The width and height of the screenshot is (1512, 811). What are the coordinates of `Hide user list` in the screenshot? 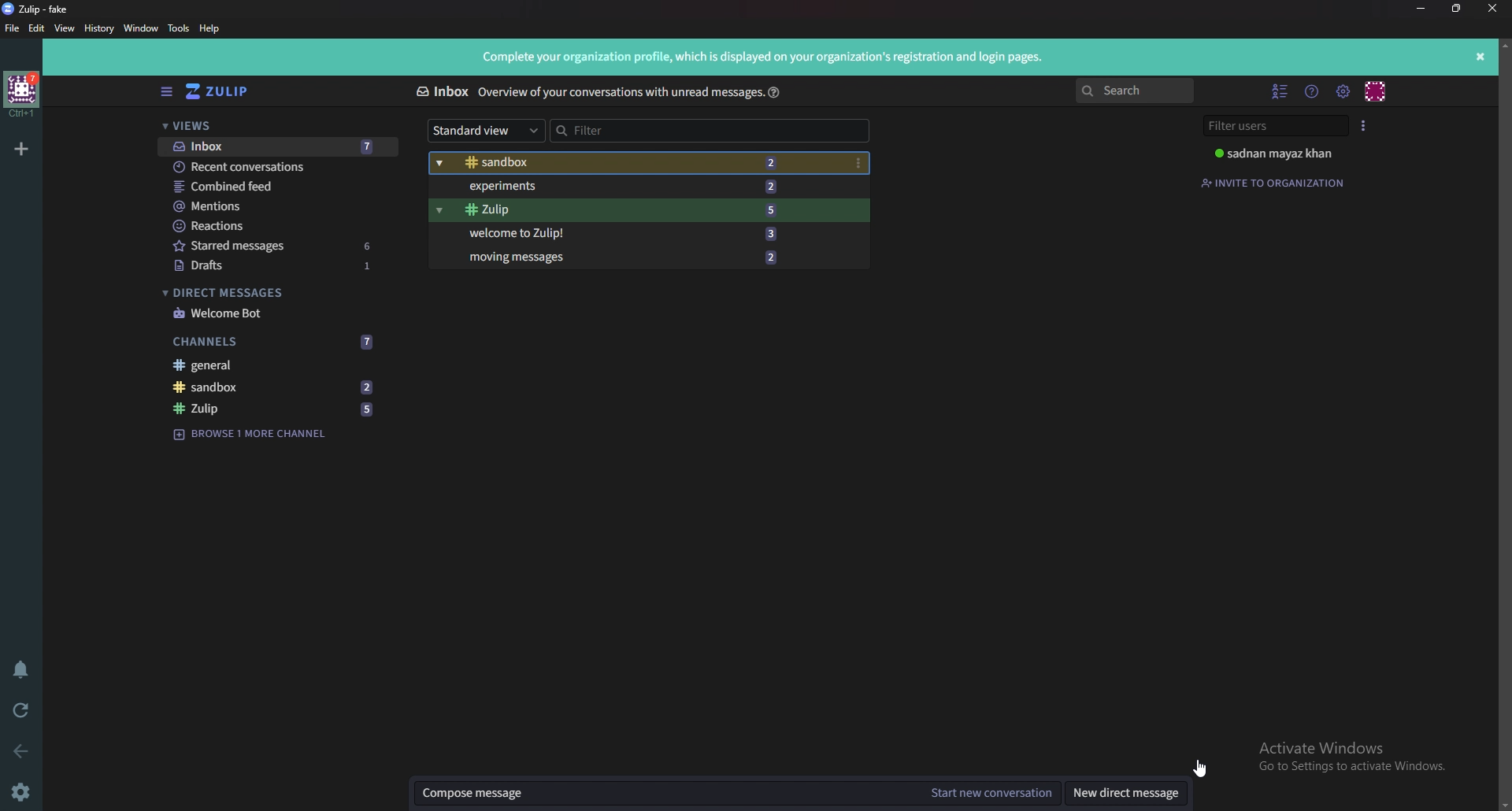 It's located at (1280, 91).